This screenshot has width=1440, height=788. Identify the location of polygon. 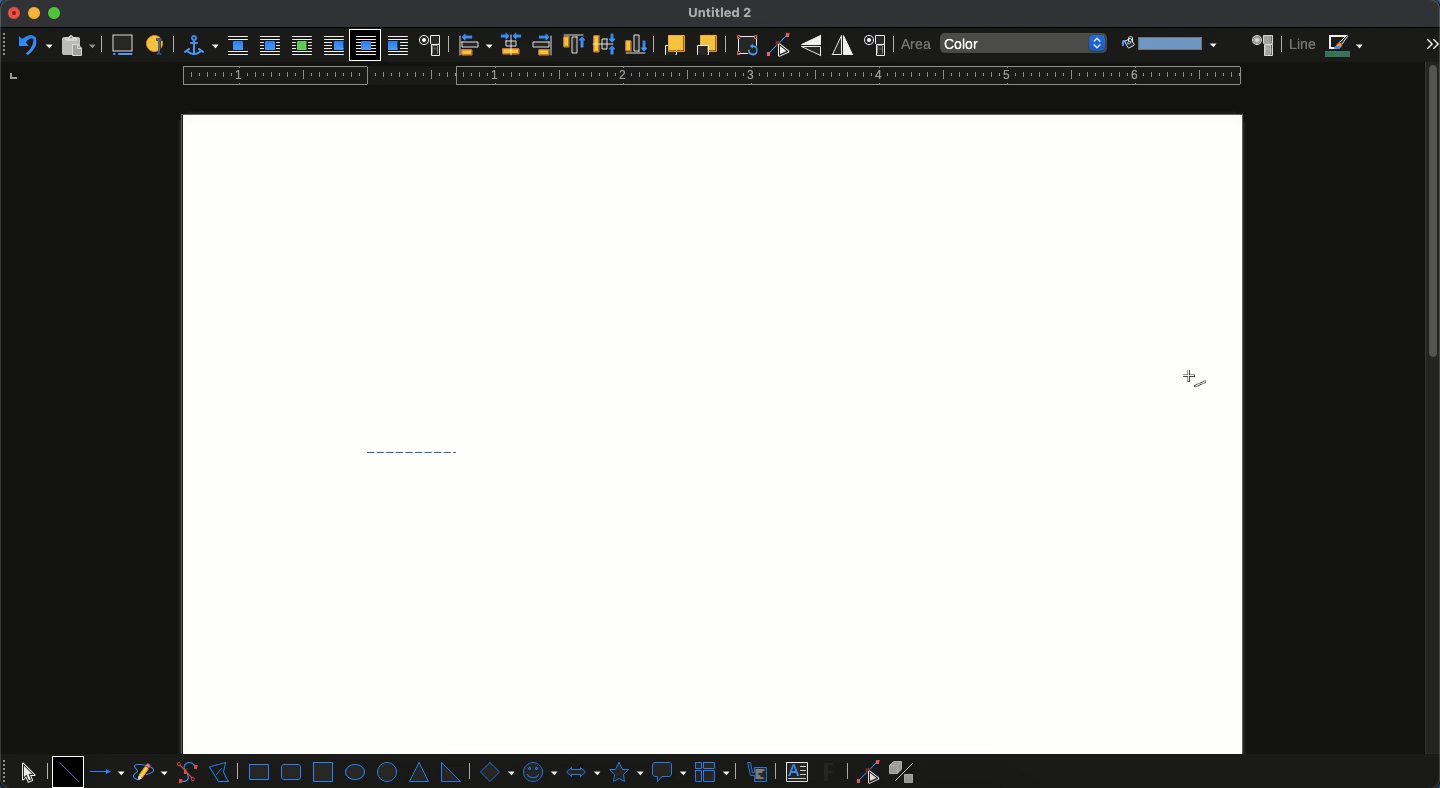
(220, 770).